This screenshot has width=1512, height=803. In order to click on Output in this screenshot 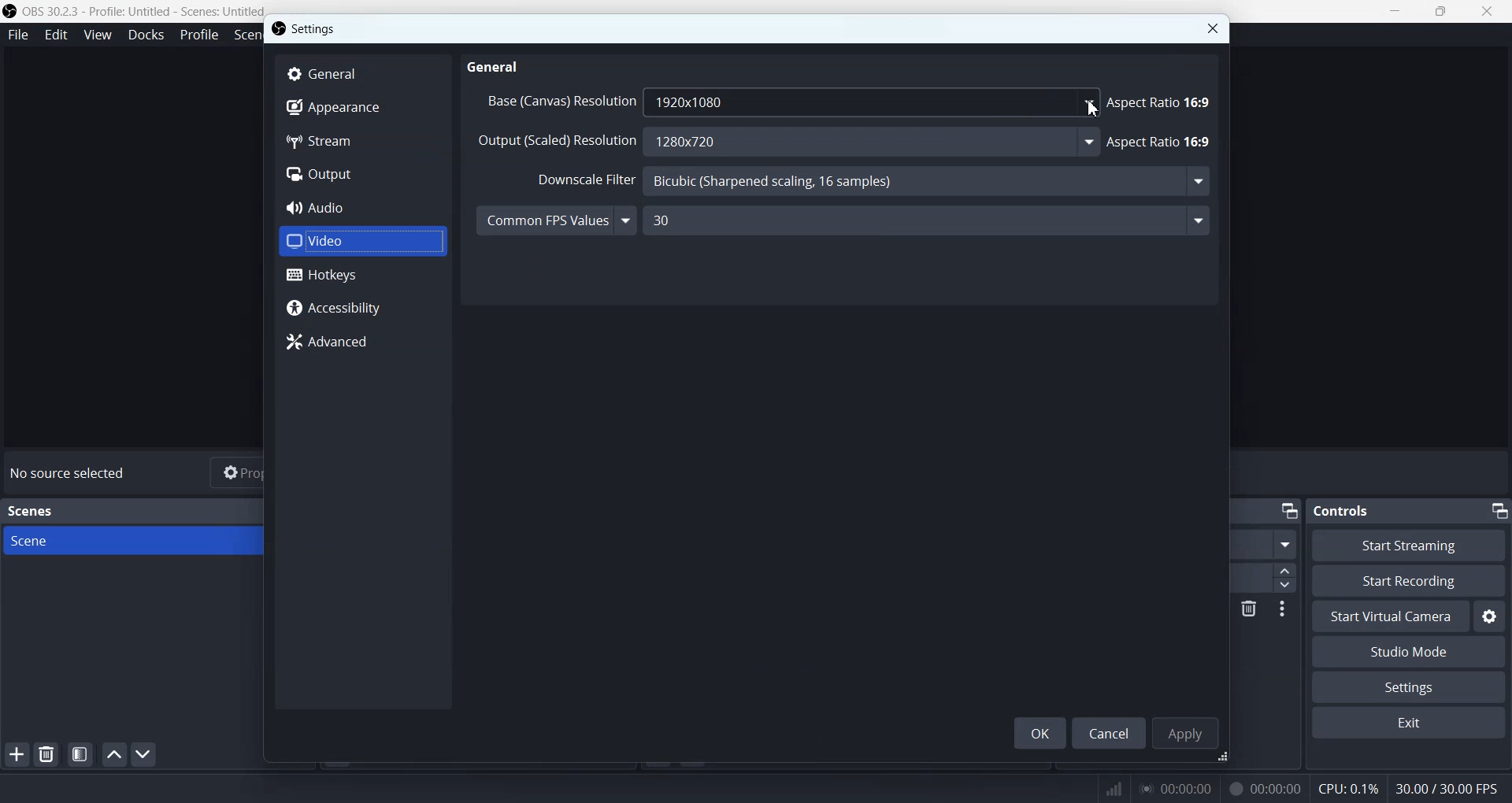, I will do `click(361, 173)`.